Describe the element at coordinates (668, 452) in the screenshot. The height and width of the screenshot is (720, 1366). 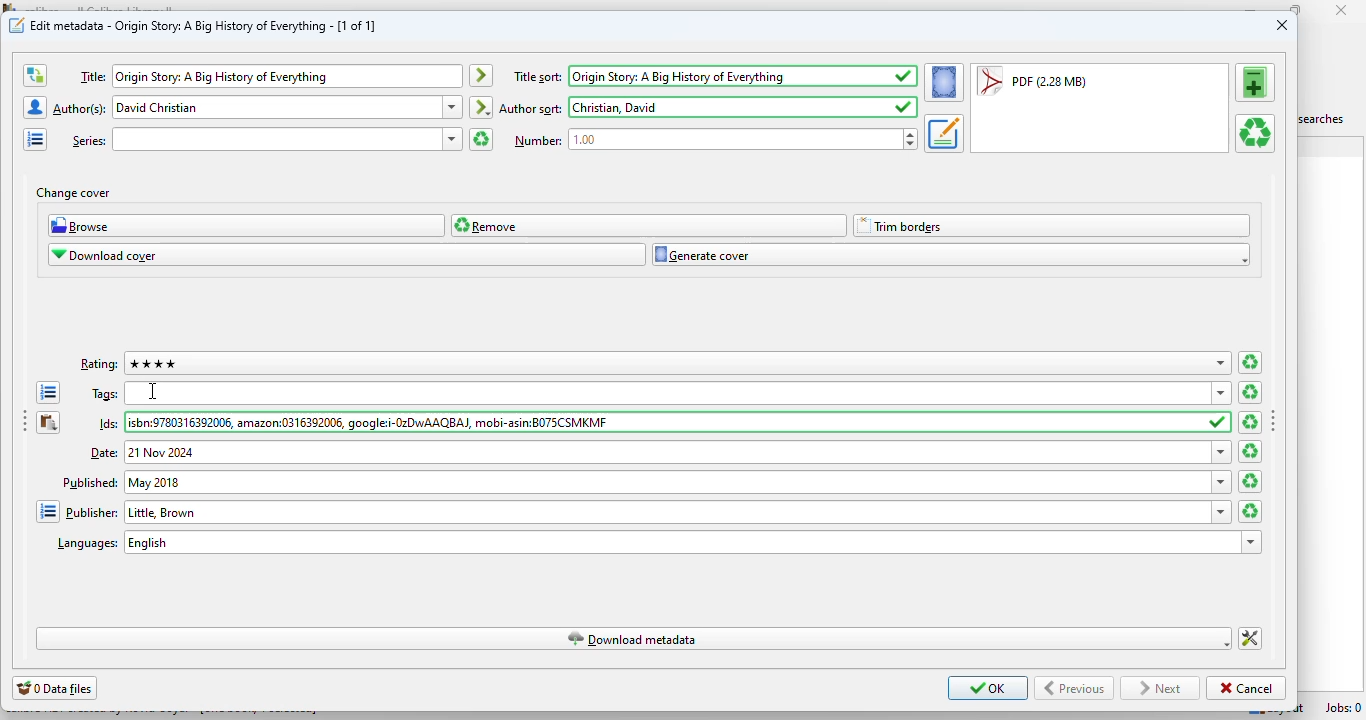
I see `date: 21 Nov 2024` at that location.